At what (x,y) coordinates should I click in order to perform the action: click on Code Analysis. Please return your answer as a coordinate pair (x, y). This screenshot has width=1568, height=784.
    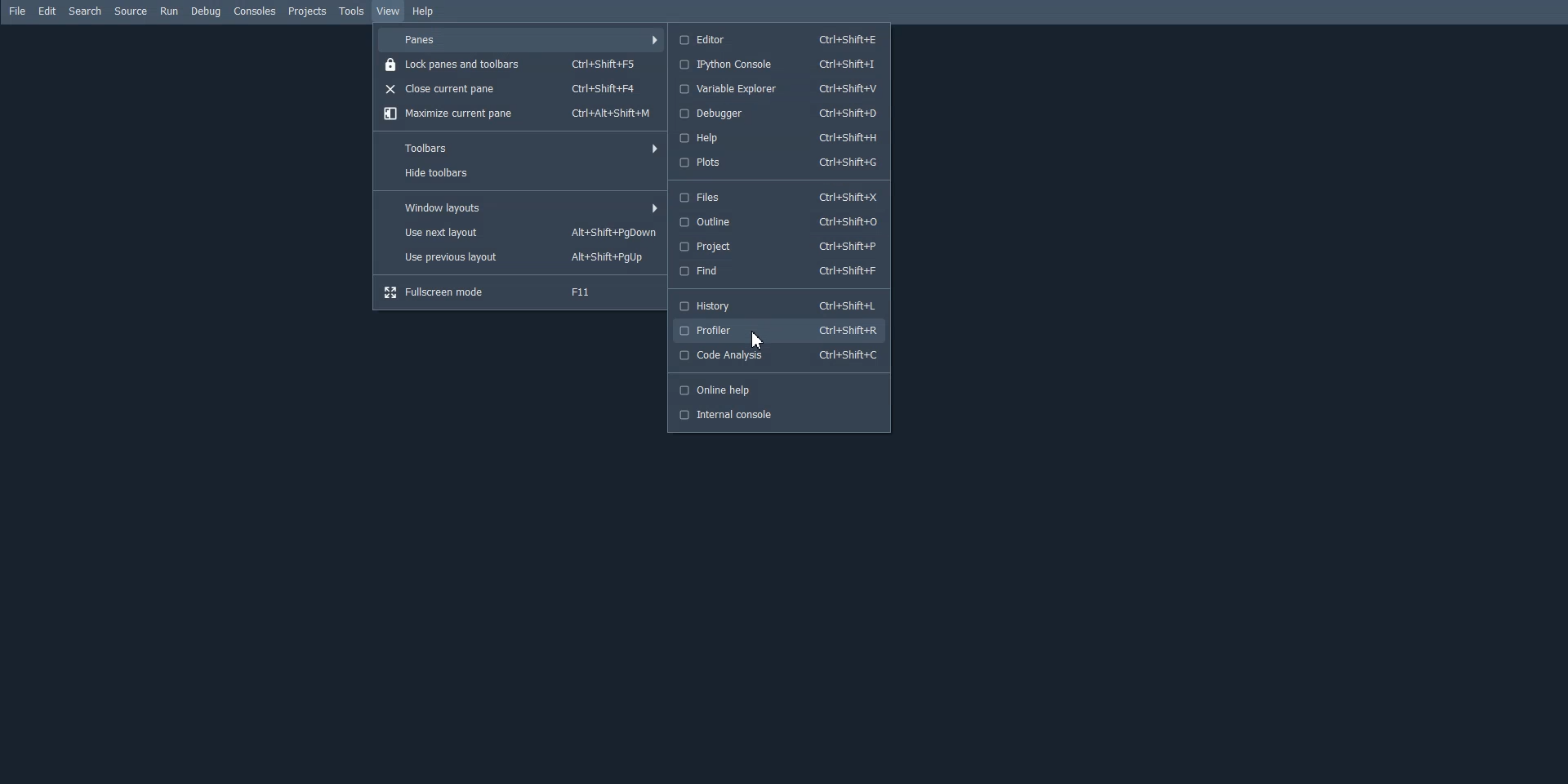
    Looking at the image, I should click on (778, 356).